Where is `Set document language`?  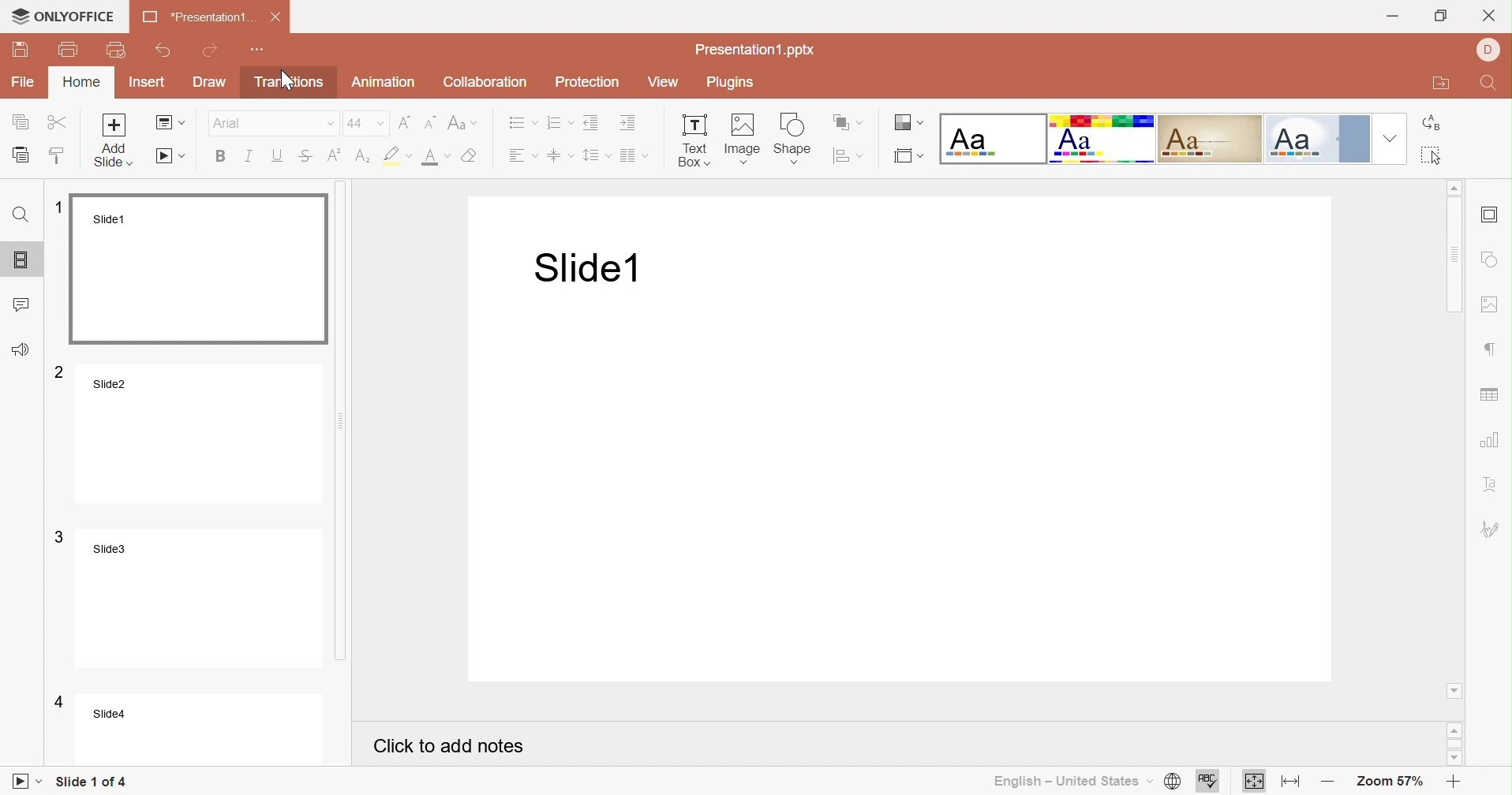
Set document language is located at coordinates (1175, 783).